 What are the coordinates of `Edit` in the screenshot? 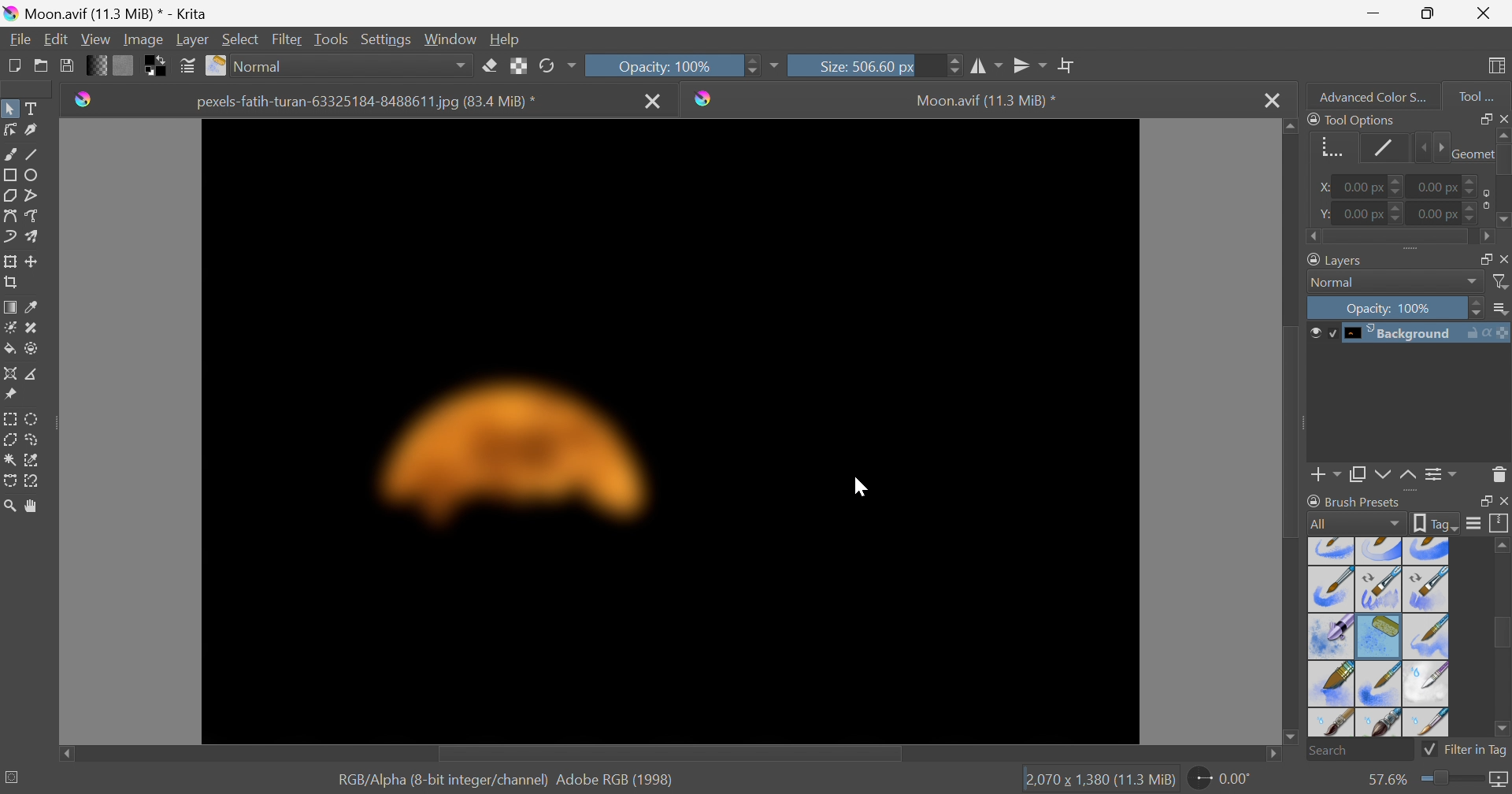 It's located at (57, 39).